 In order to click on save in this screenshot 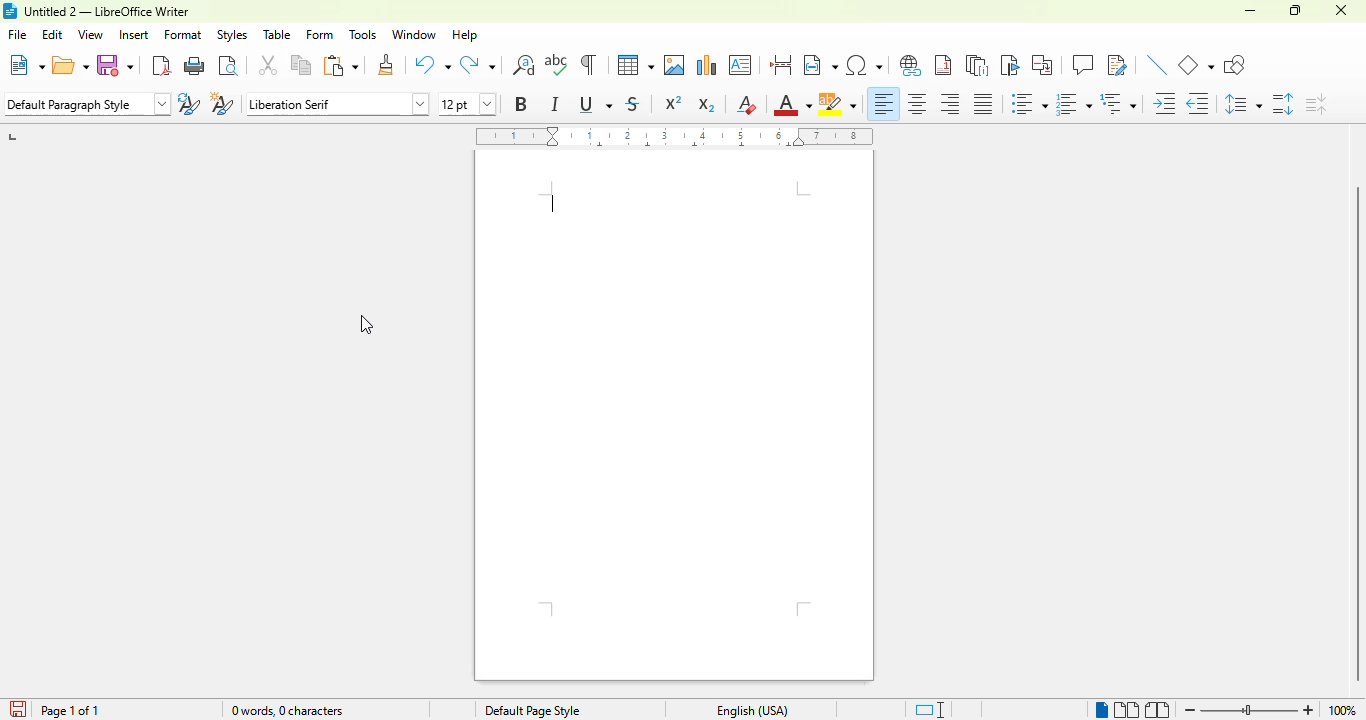, I will do `click(116, 65)`.